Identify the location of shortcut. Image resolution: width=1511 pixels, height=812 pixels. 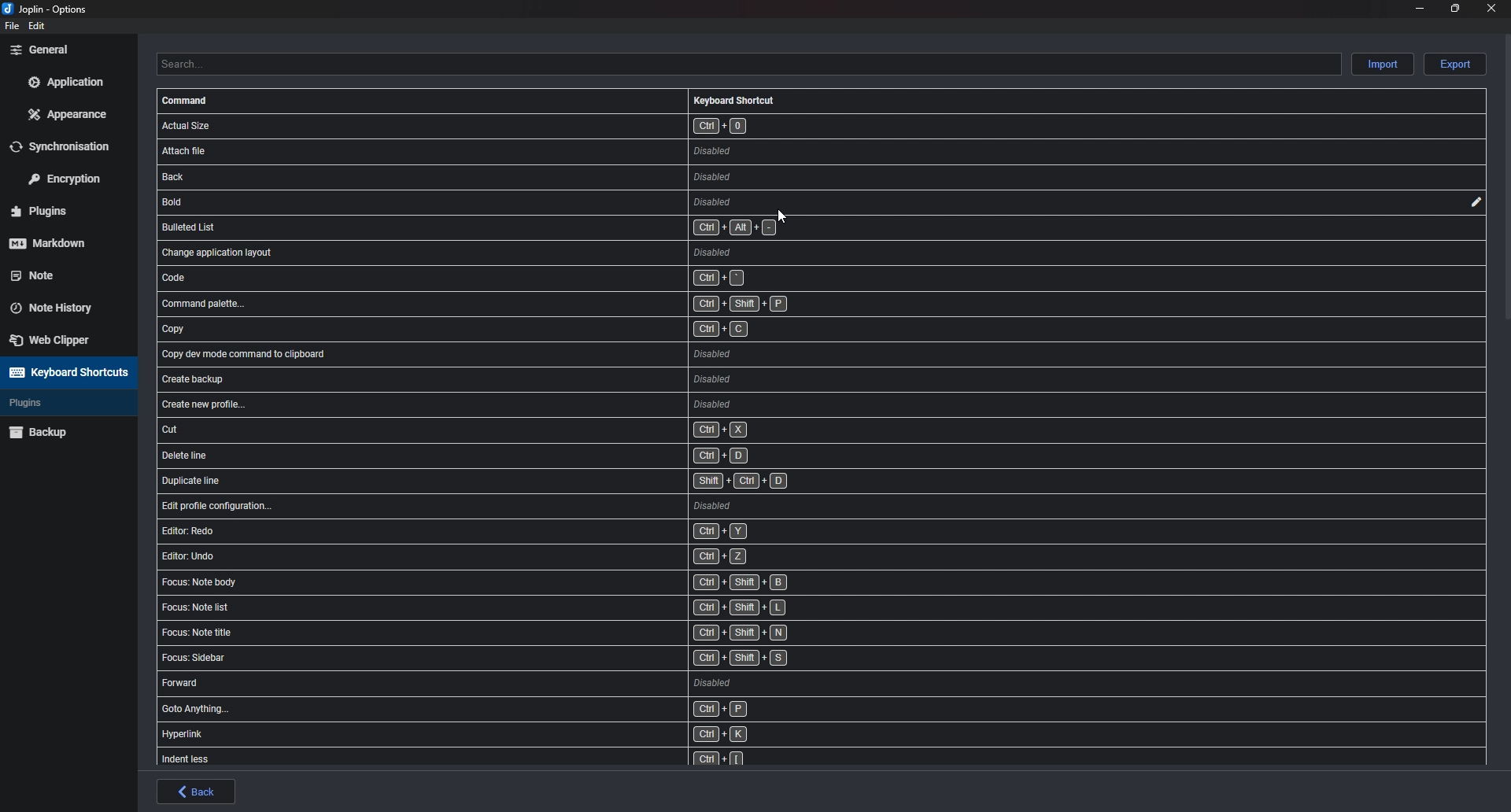
(534, 354).